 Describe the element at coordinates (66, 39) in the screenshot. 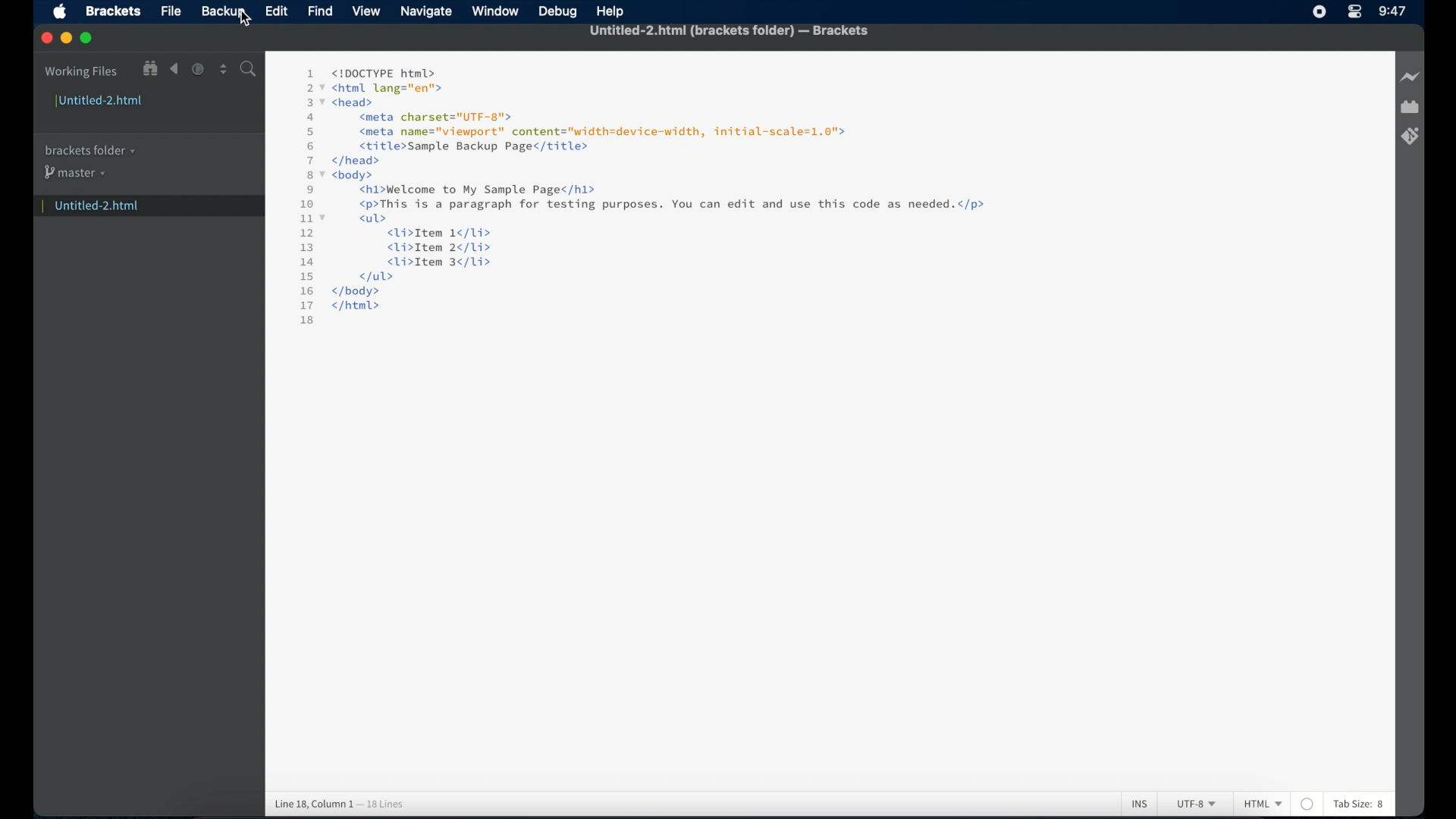

I see `minimize` at that location.